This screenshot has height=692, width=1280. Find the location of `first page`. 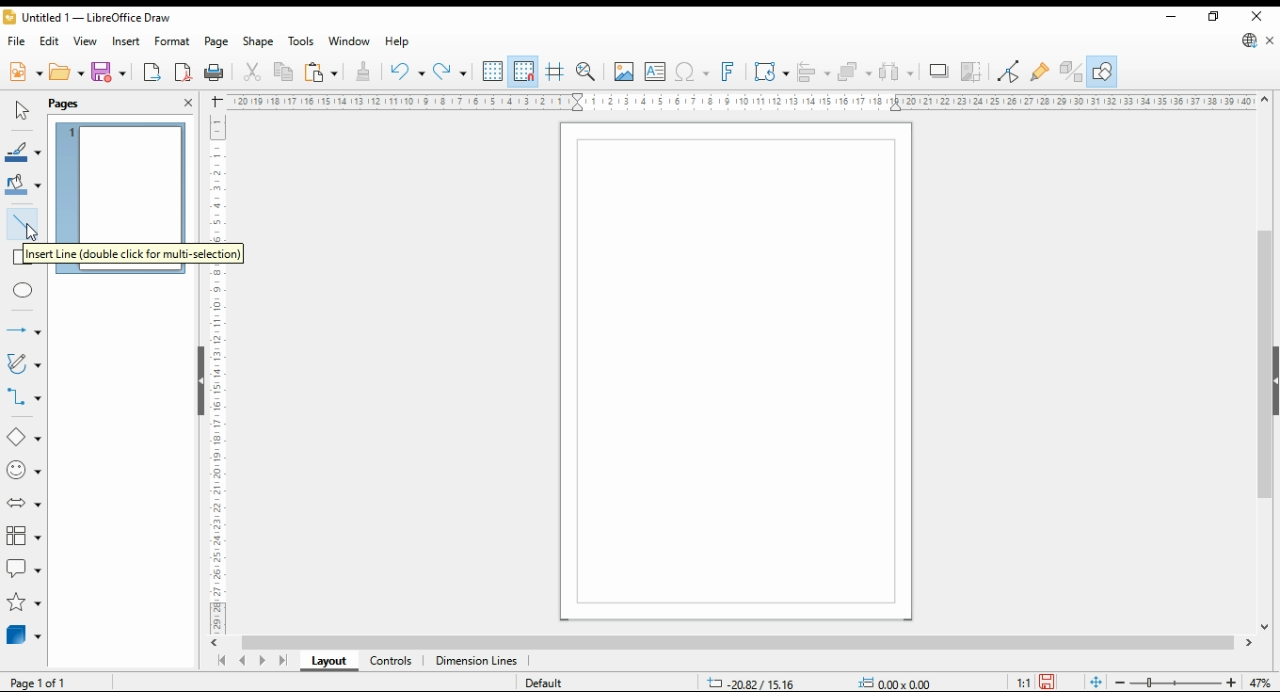

first page is located at coordinates (221, 661).